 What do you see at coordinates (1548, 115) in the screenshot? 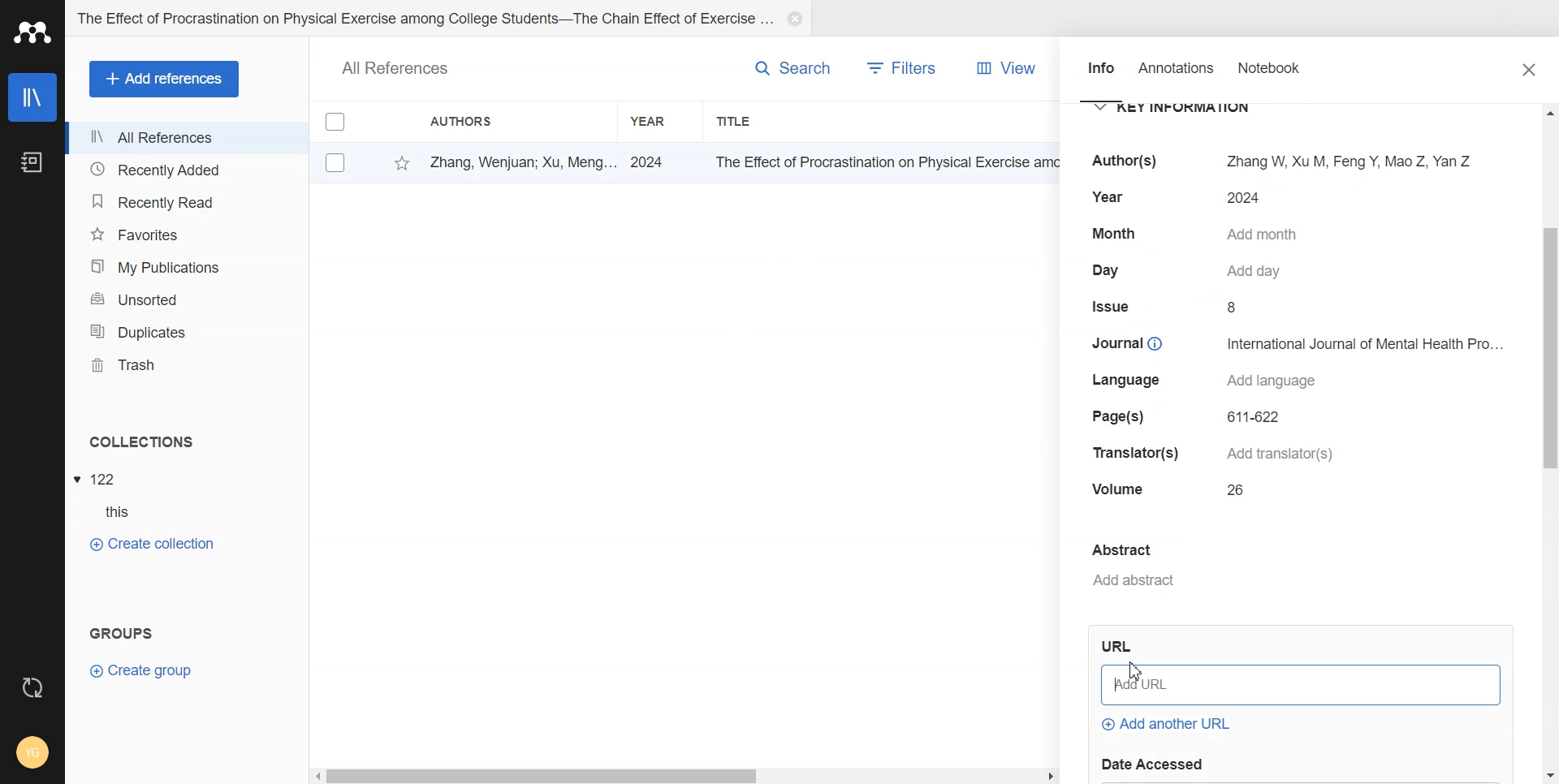
I see `Up` at bounding box center [1548, 115].